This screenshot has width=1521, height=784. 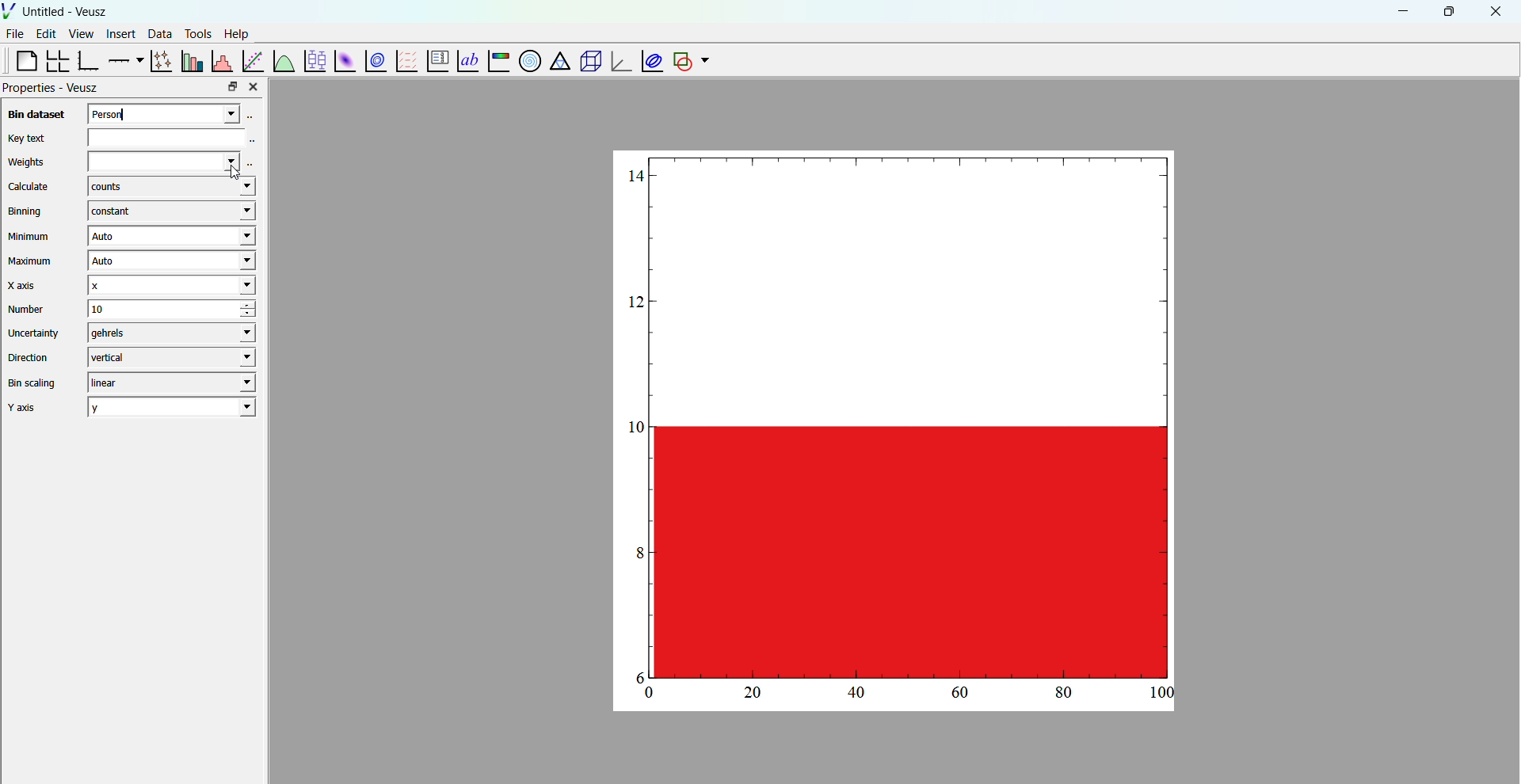 I want to click on plot a vector table, so click(x=405, y=60).